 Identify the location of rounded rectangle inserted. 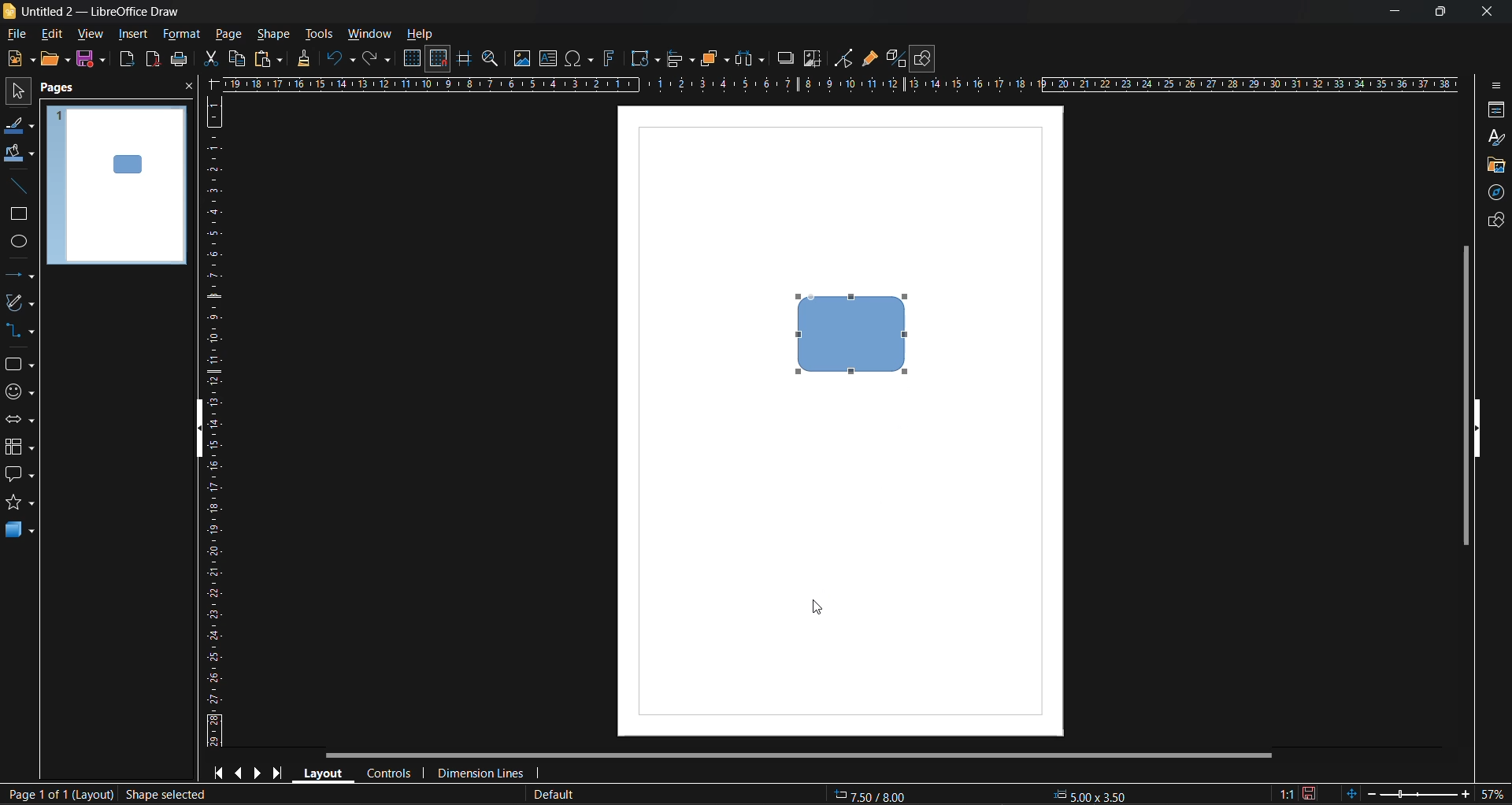
(854, 334).